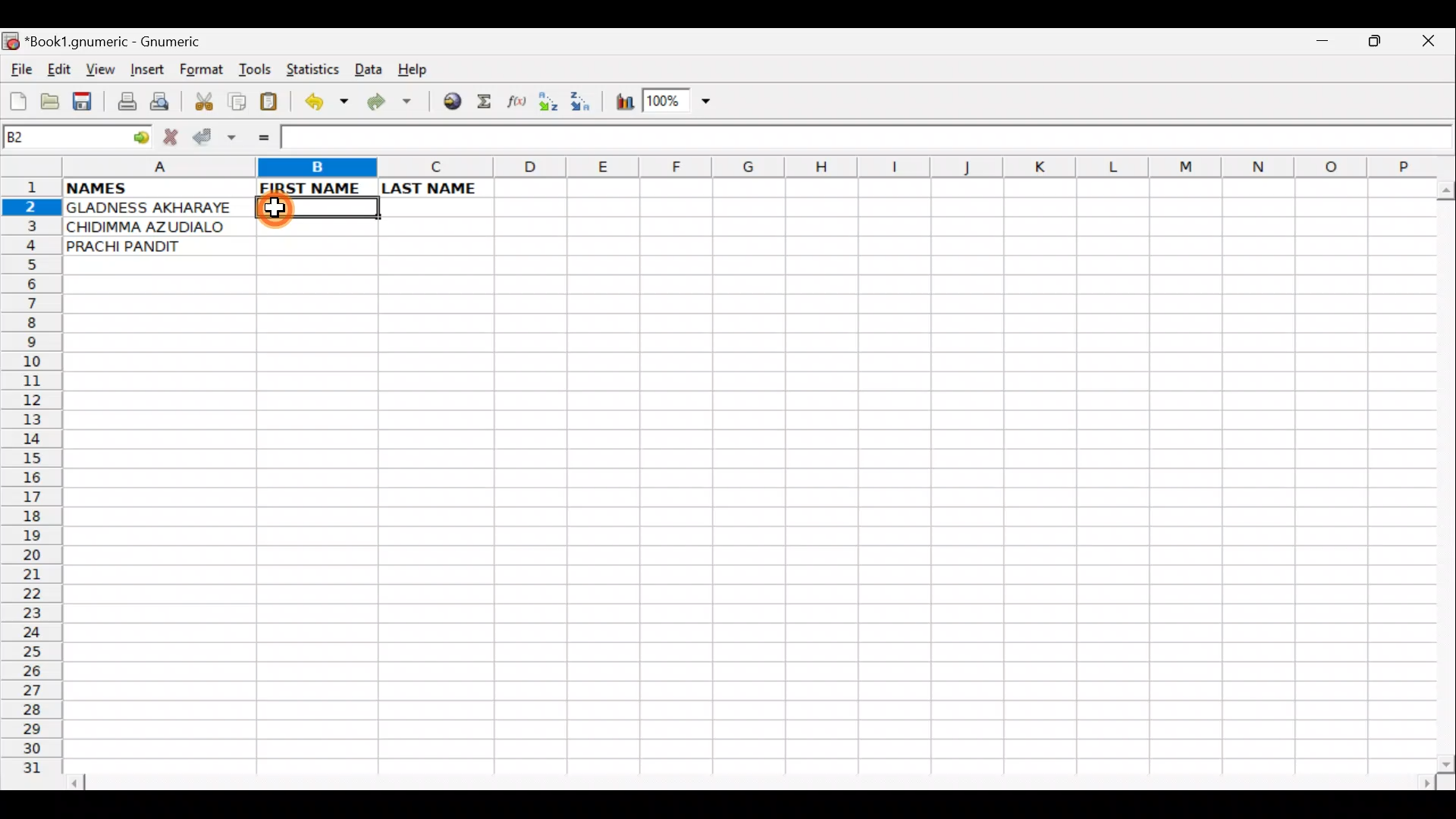 Image resolution: width=1456 pixels, height=819 pixels. I want to click on Sum in the current cell, so click(489, 102).